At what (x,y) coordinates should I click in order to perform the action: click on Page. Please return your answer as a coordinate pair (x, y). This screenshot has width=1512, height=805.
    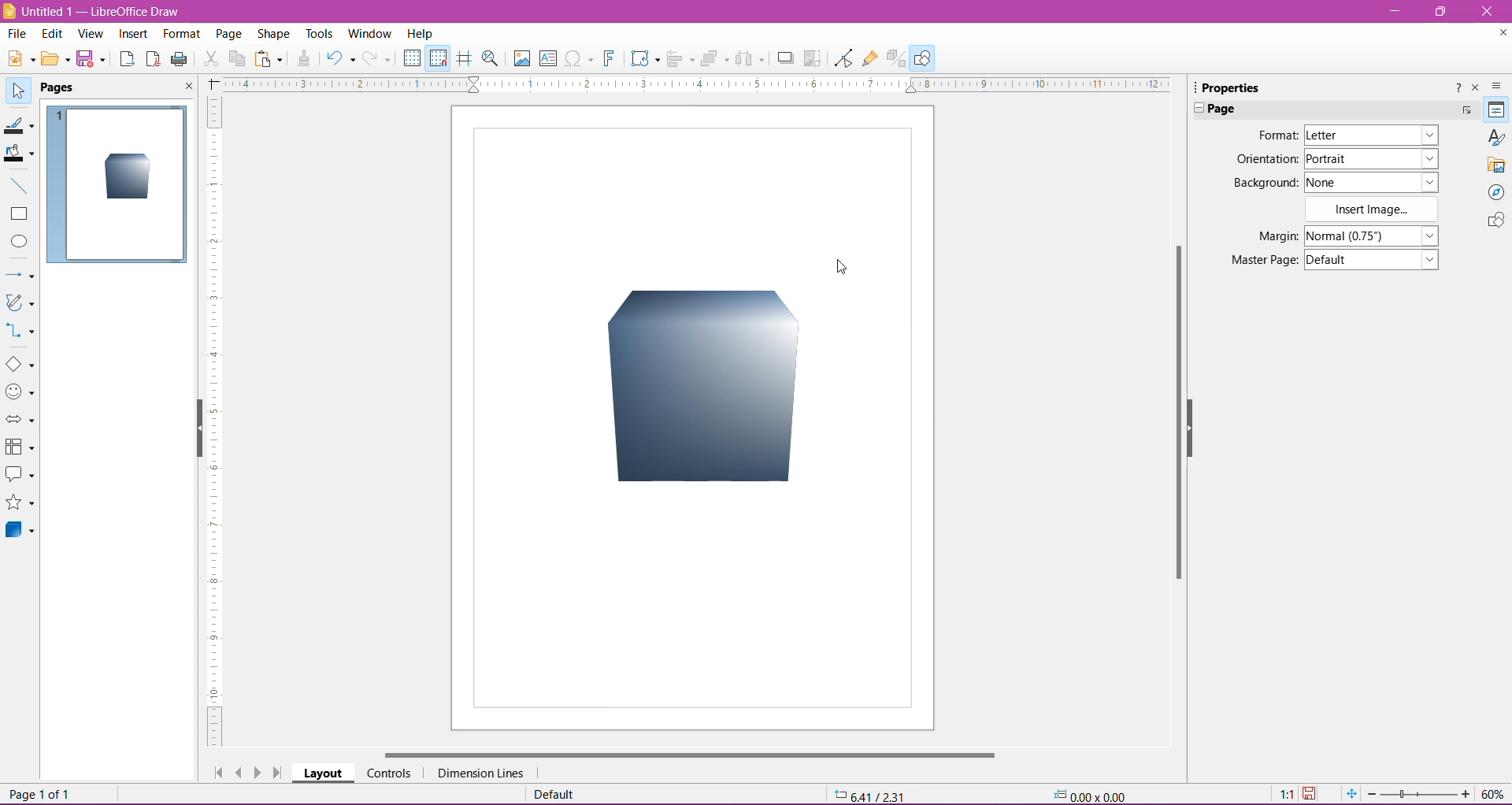
    Looking at the image, I should click on (228, 36).